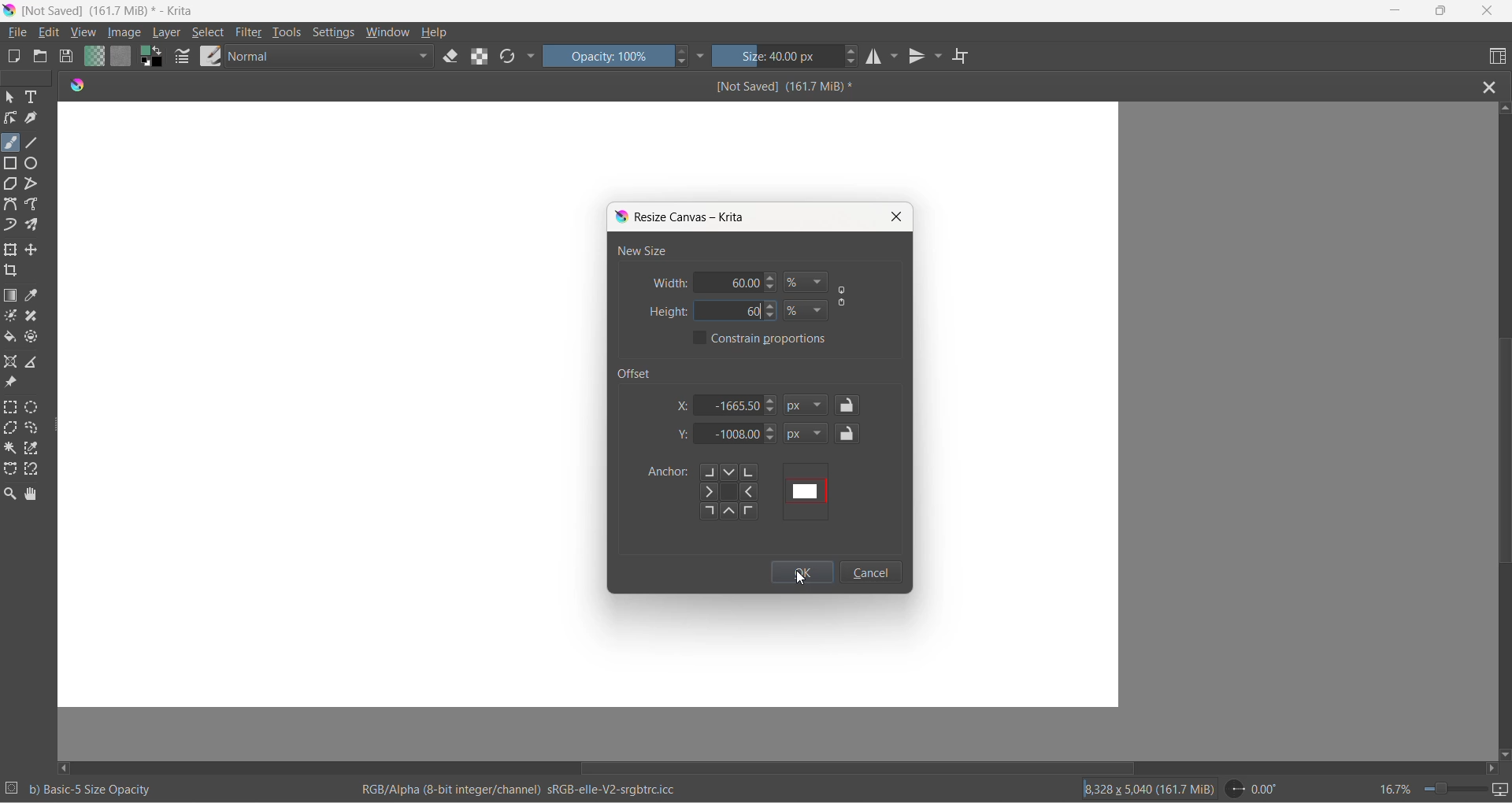 Image resolution: width=1512 pixels, height=803 pixels. I want to click on colorize mask tool, so click(12, 316).